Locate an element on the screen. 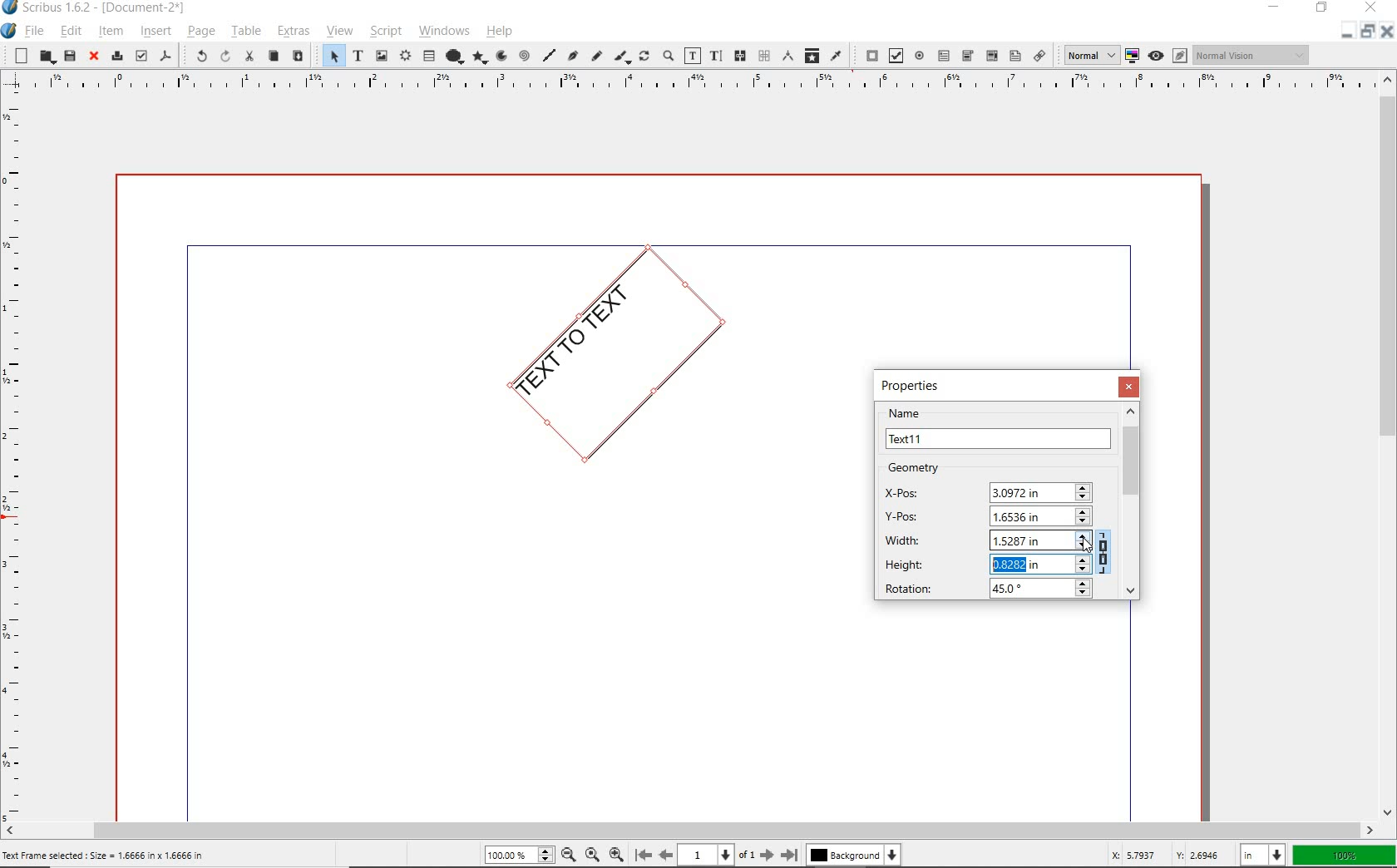  preview mode is located at coordinates (1168, 56).